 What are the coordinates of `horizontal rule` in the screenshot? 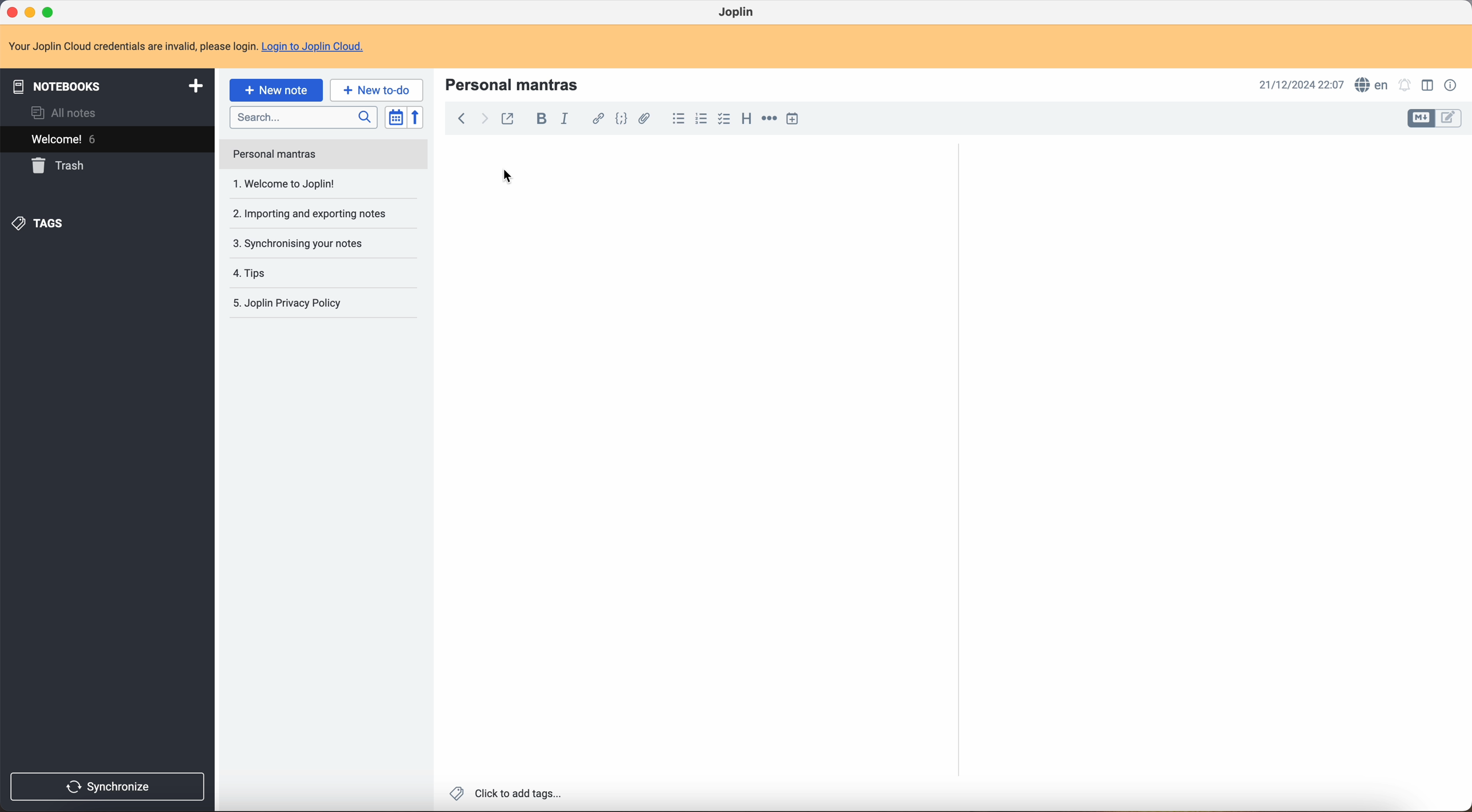 It's located at (770, 121).